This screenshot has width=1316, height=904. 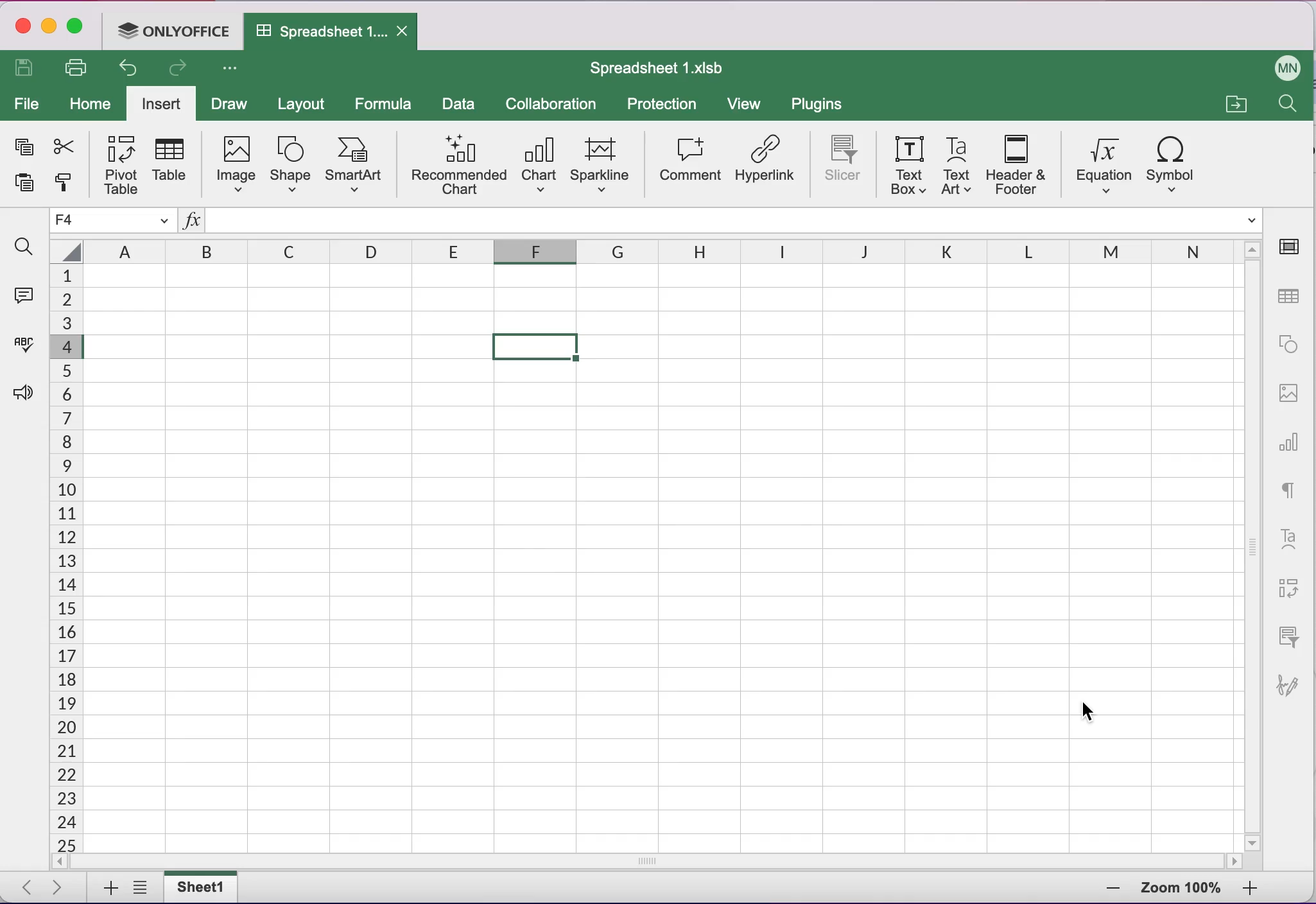 What do you see at coordinates (65, 559) in the screenshot?
I see `cells` at bounding box center [65, 559].